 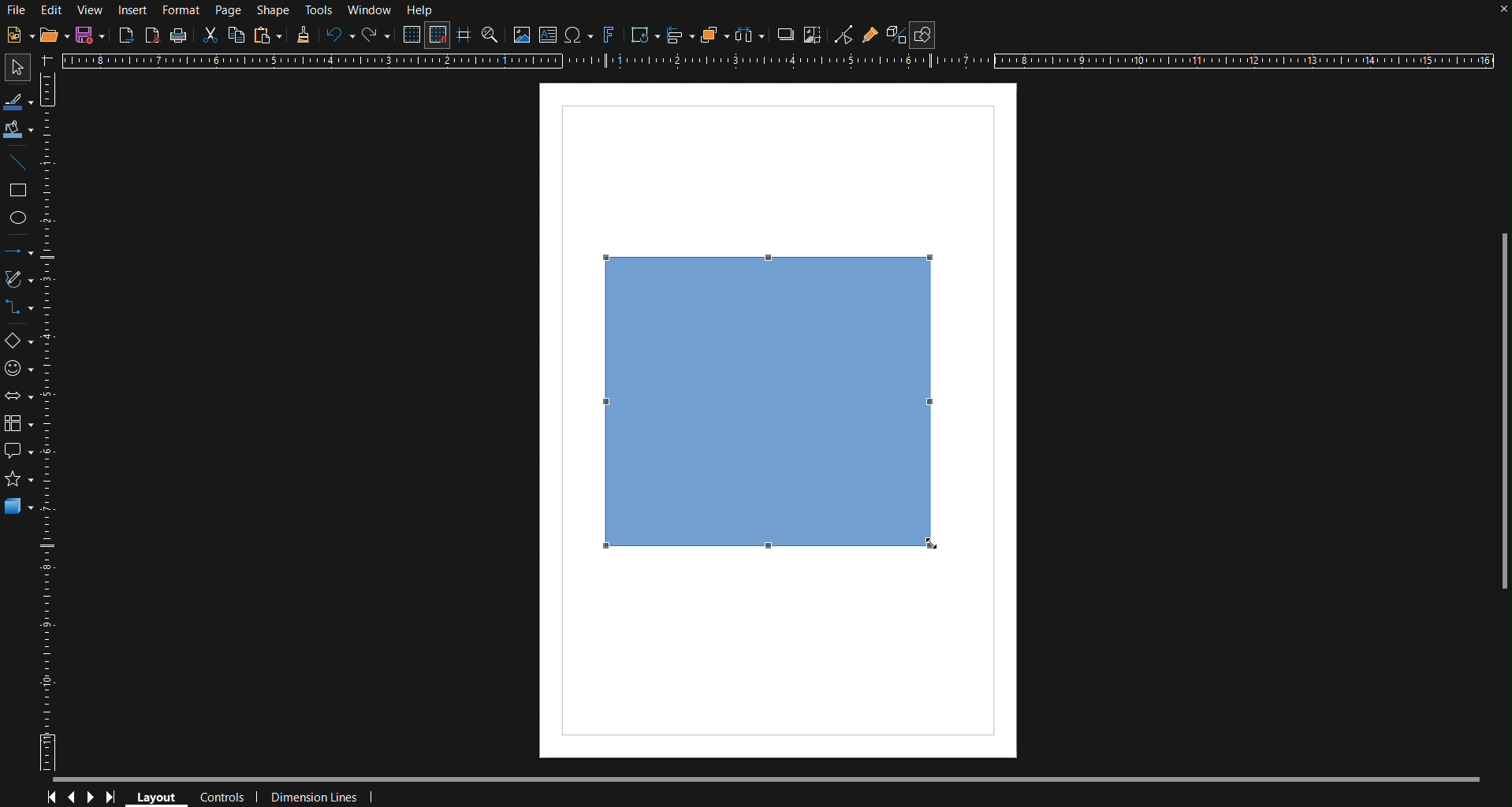 I want to click on Open, so click(x=56, y=34).